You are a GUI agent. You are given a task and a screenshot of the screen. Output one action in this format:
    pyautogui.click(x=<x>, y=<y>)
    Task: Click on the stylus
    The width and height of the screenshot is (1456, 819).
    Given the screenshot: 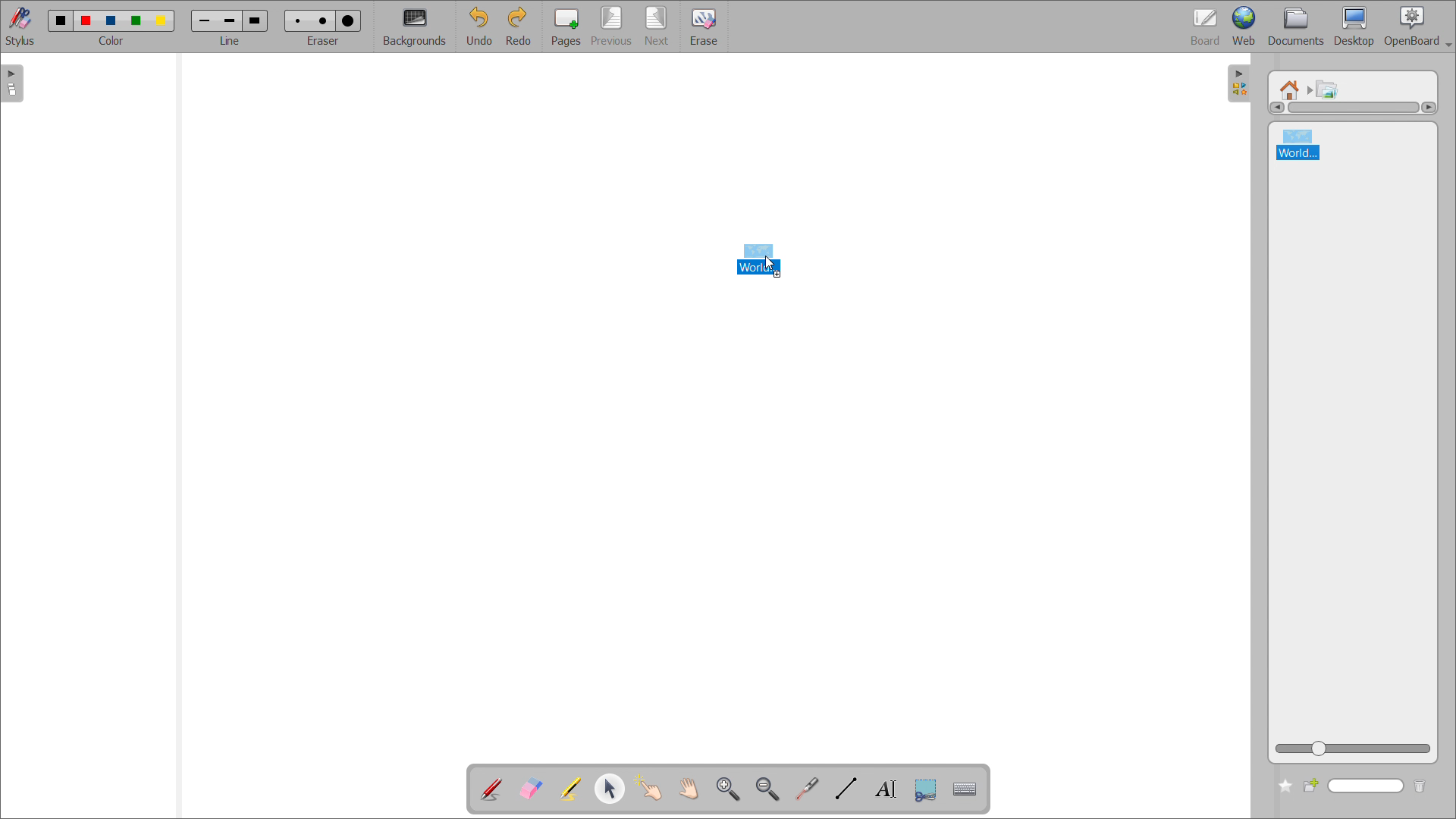 What is the action you would take?
    pyautogui.click(x=20, y=26)
    